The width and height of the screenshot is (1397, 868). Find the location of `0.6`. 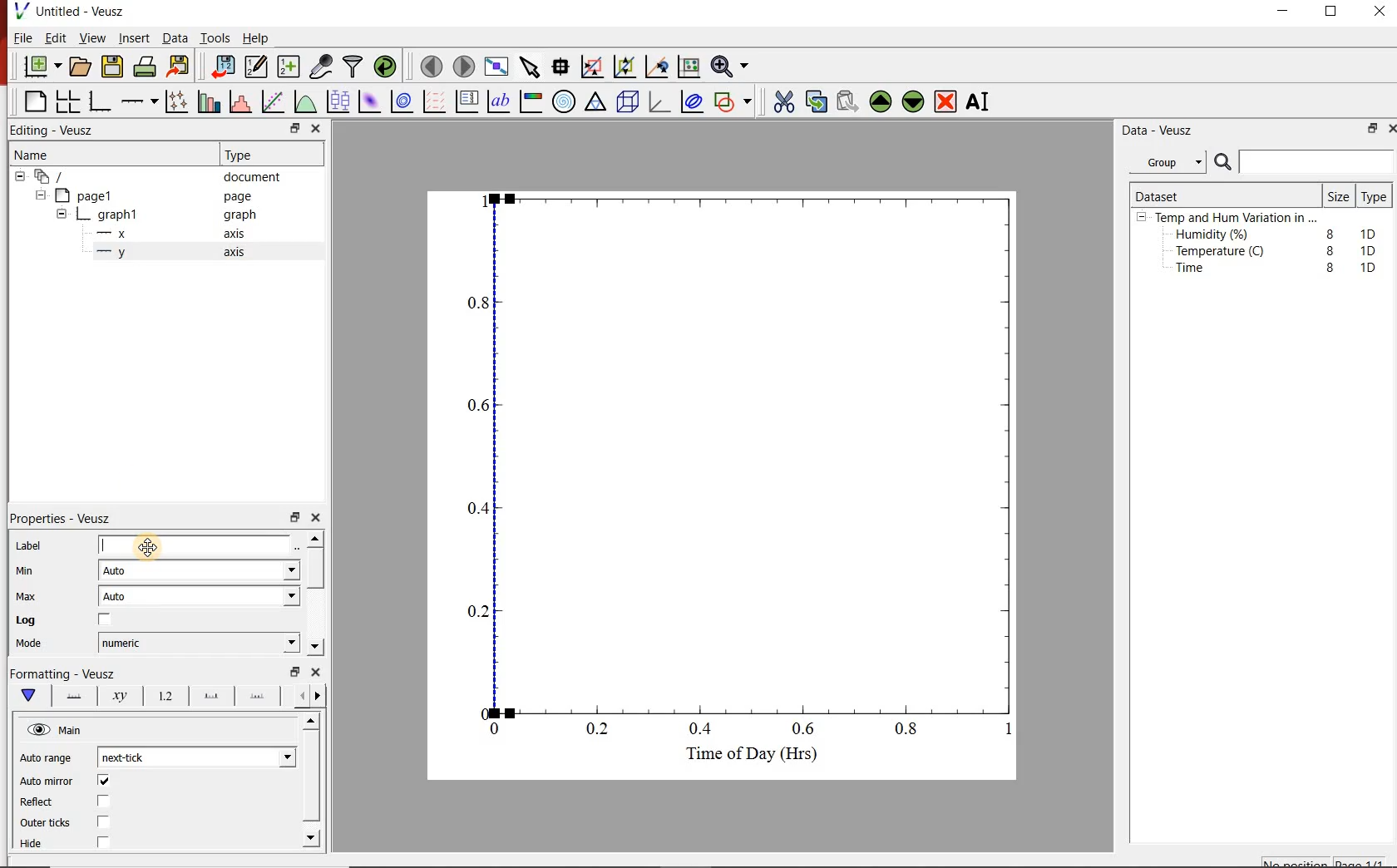

0.6 is located at coordinates (477, 410).